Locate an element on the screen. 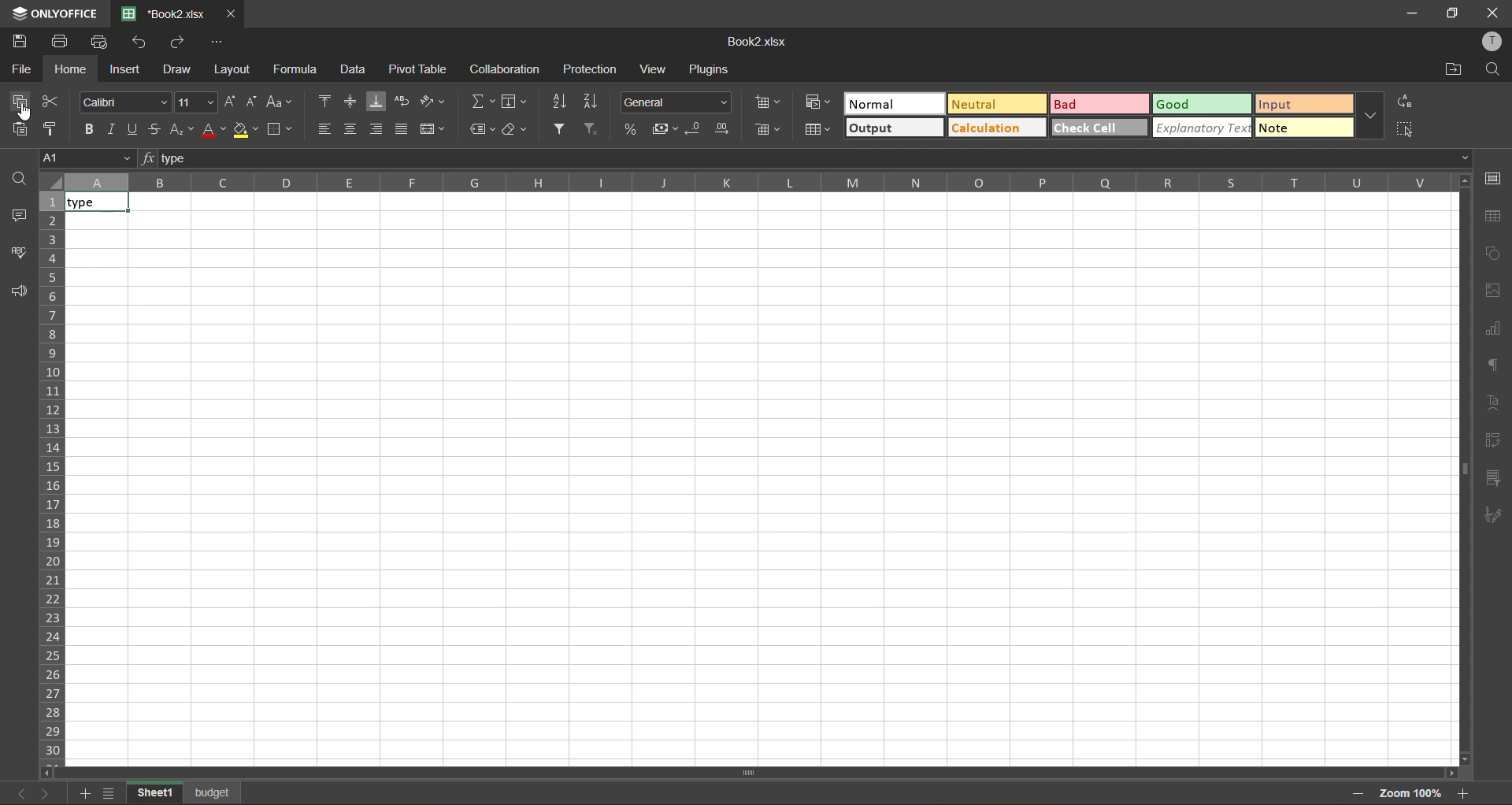 Image resolution: width=1512 pixels, height=805 pixels. percent is located at coordinates (628, 128).